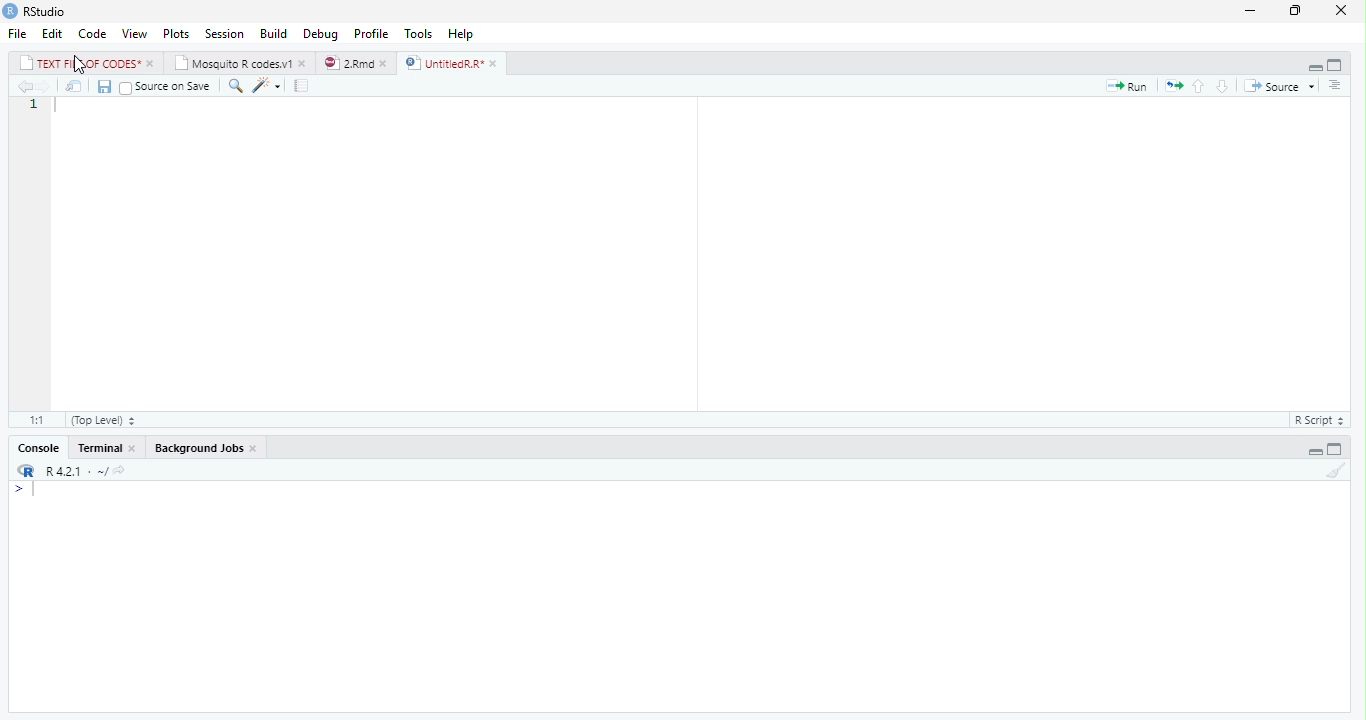  Describe the element at coordinates (1252, 10) in the screenshot. I see `Minimize` at that location.